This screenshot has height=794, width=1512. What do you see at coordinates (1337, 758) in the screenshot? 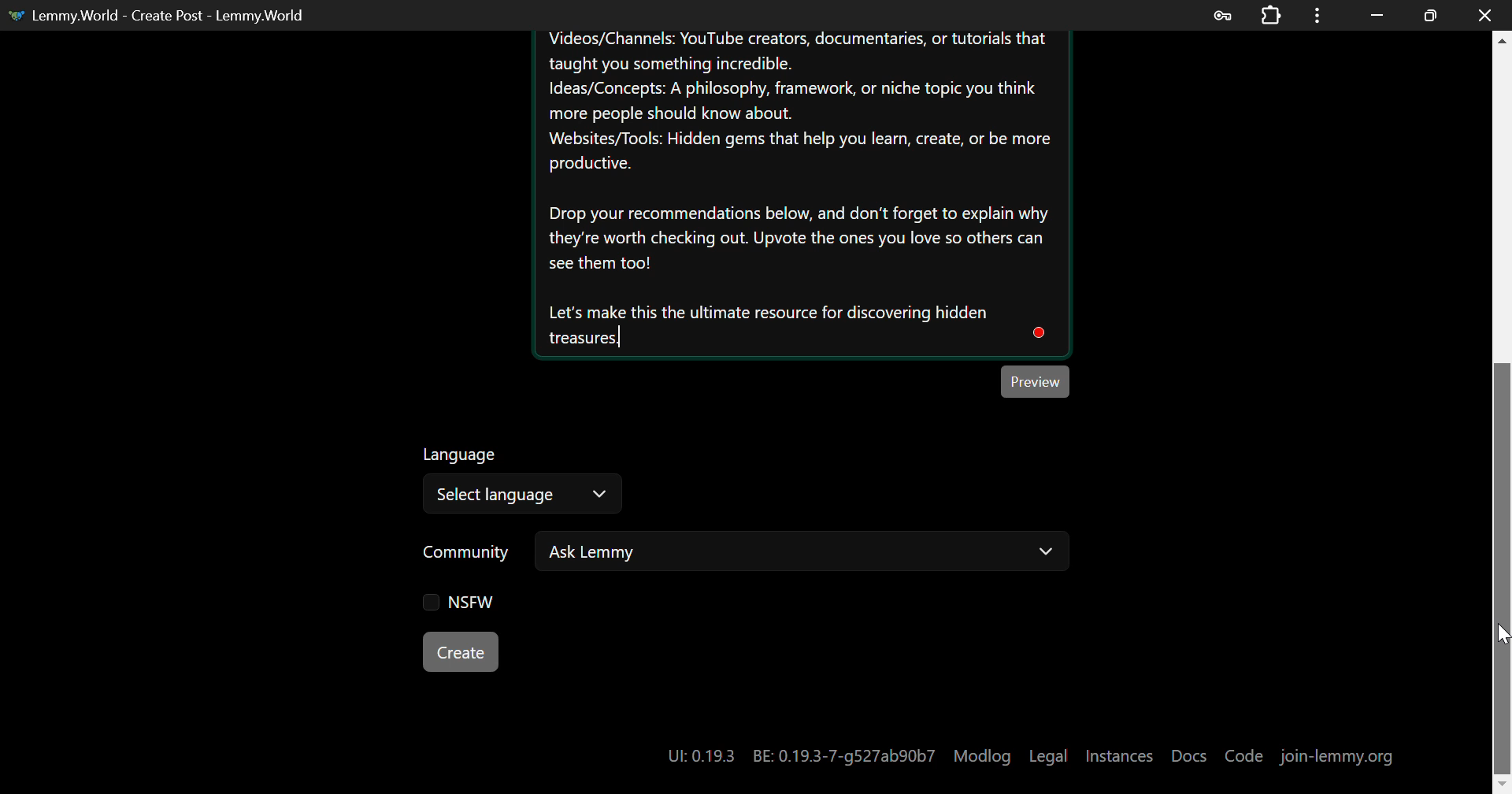
I see `join-lemmy.org` at bounding box center [1337, 758].